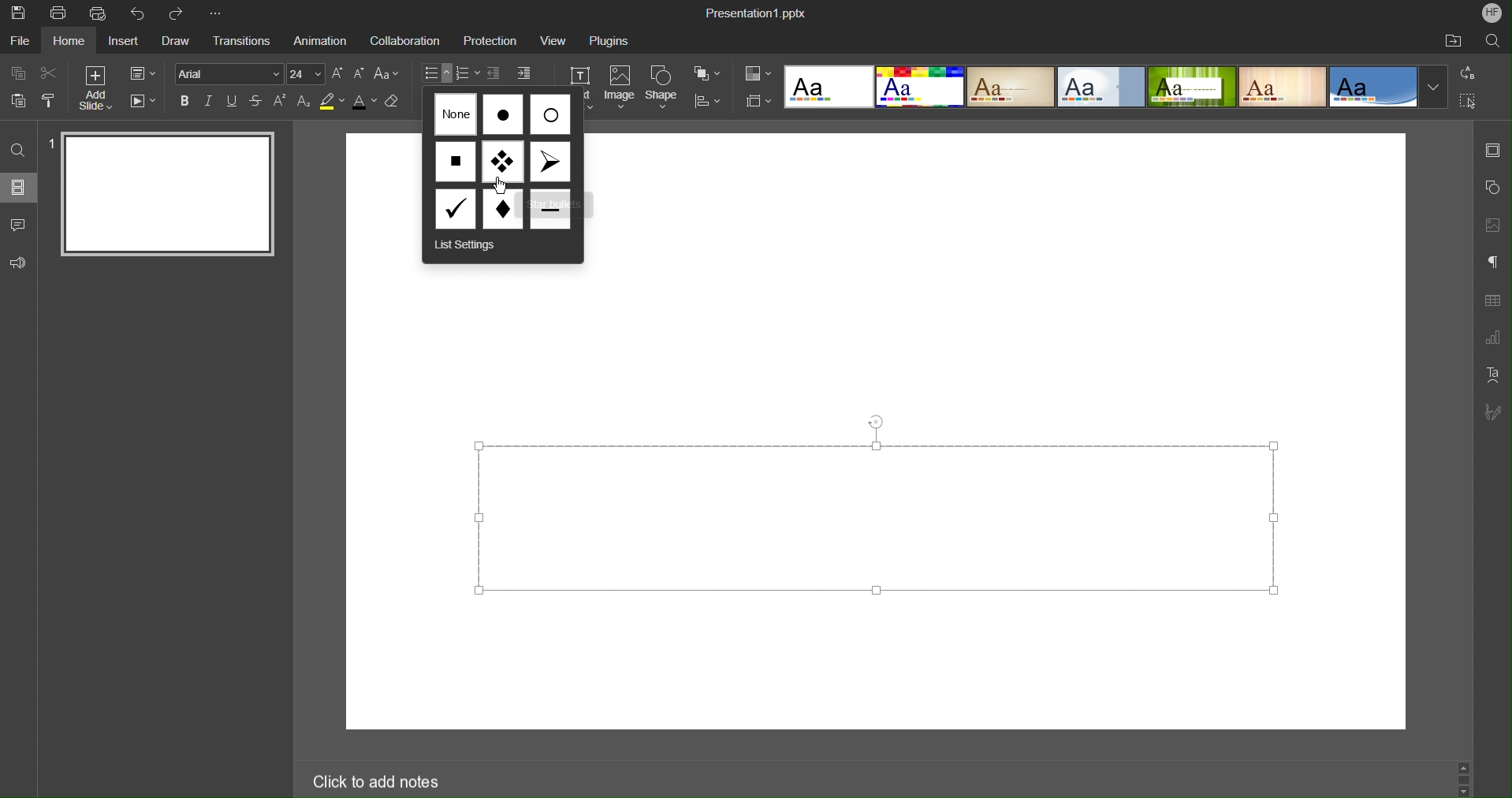 This screenshot has width=1512, height=798. What do you see at coordinates (394, 102) in the screenshot?
I see `Erase Style` at bounding box center [394, 102].